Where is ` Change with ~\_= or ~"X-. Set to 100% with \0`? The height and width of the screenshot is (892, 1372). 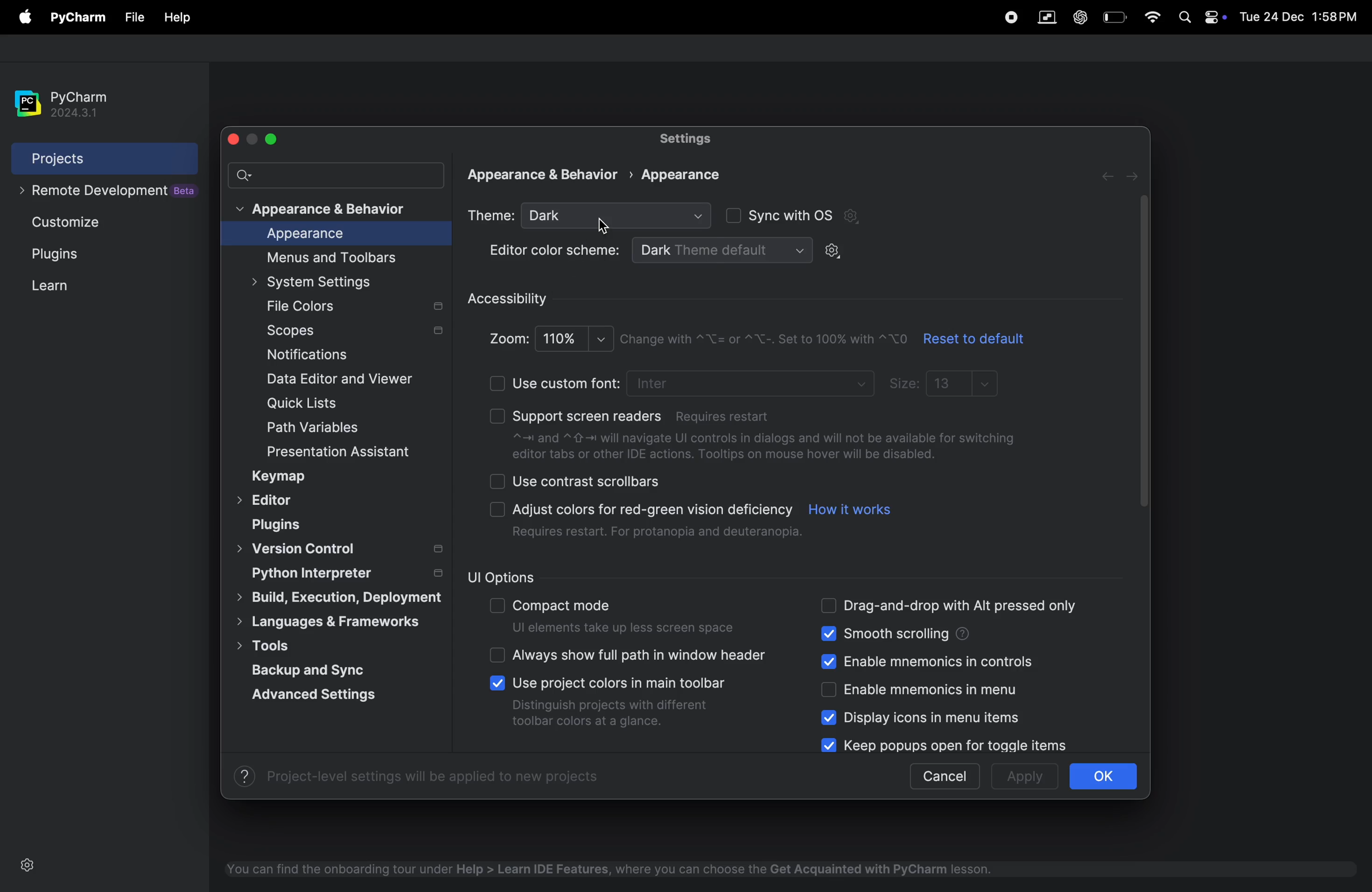  Change with ~\_= or ~"X-. Set to 100% with \0 is located at coordinates (764, 339).